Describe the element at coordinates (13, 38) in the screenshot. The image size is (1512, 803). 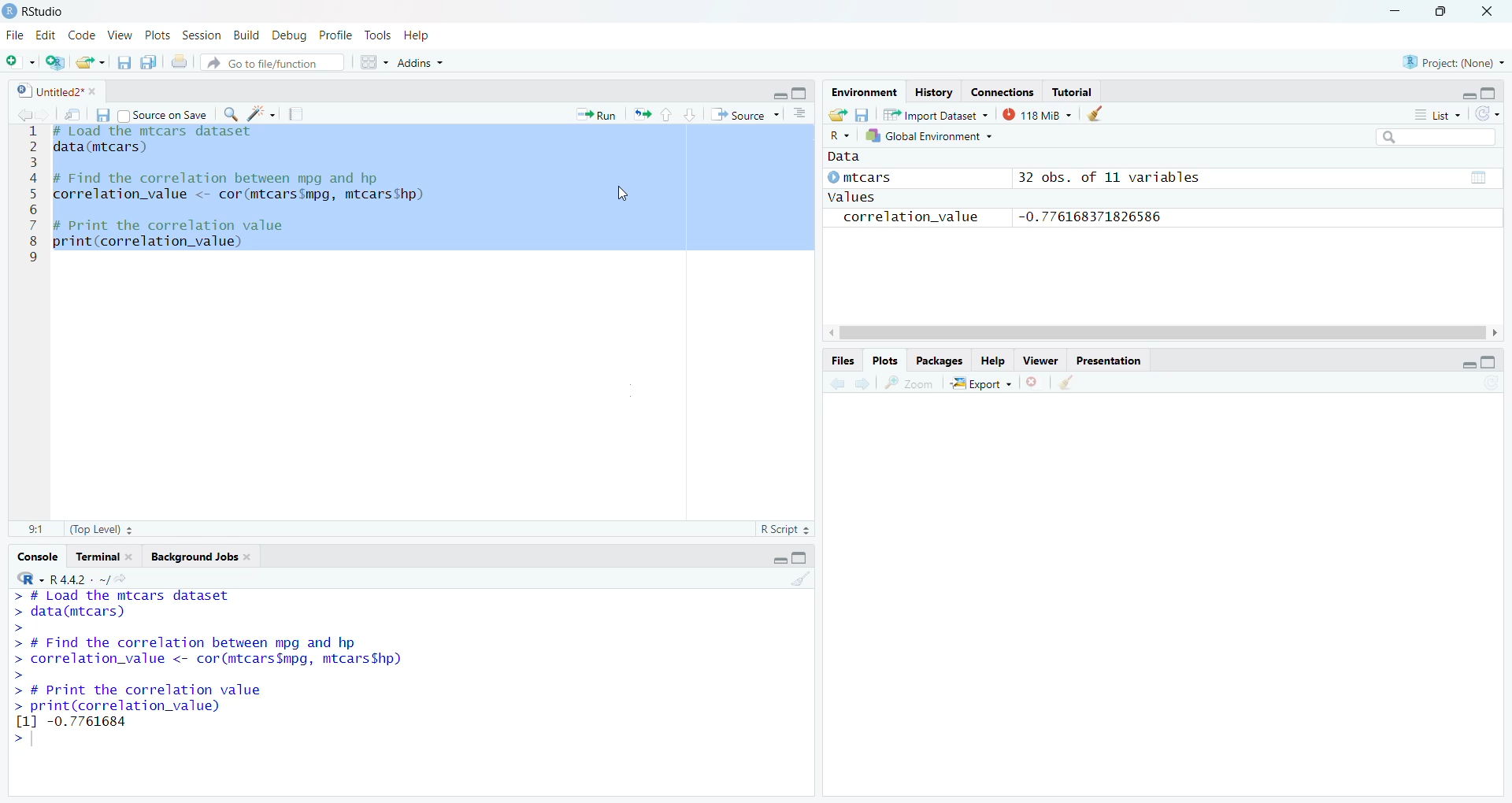
I see `File` at that location.